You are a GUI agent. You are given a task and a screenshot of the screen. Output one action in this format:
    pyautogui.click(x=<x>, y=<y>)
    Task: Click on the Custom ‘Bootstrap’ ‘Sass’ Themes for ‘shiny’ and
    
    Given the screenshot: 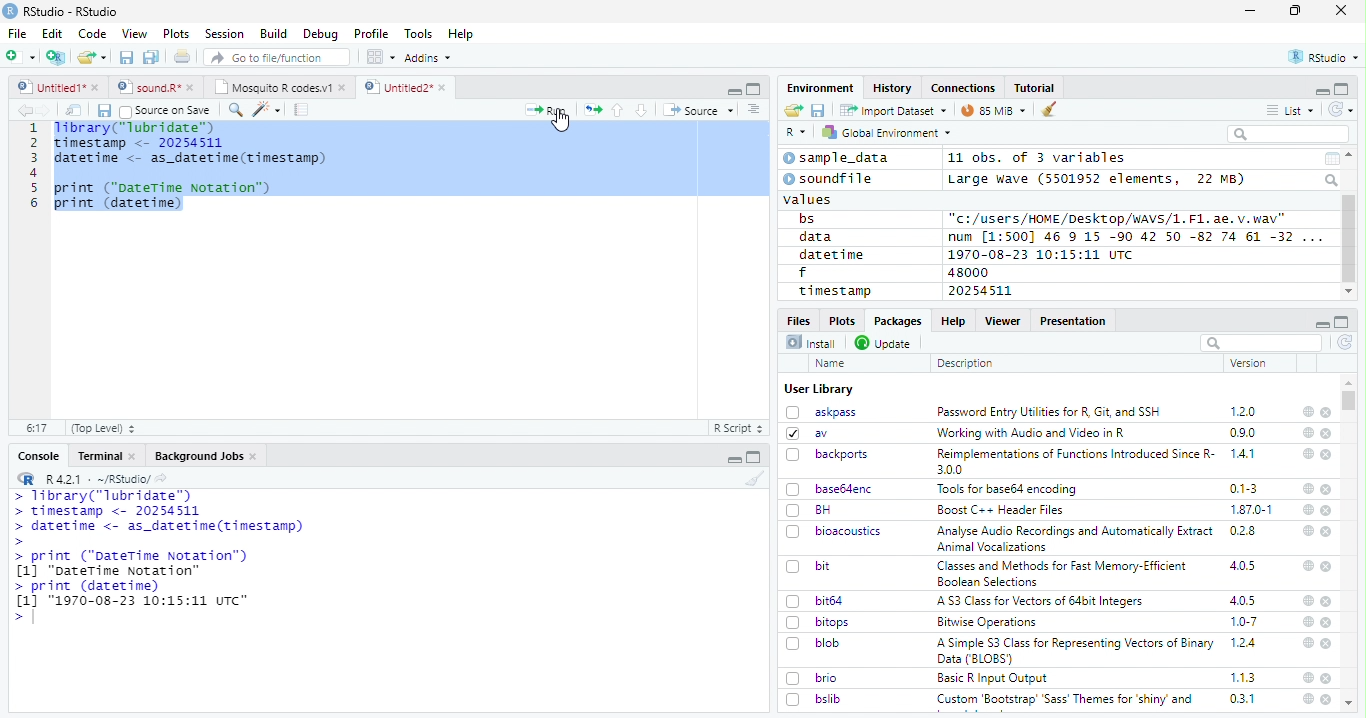 What is the action you would take?
    pyautogui.click(x=1065, y=702)
    